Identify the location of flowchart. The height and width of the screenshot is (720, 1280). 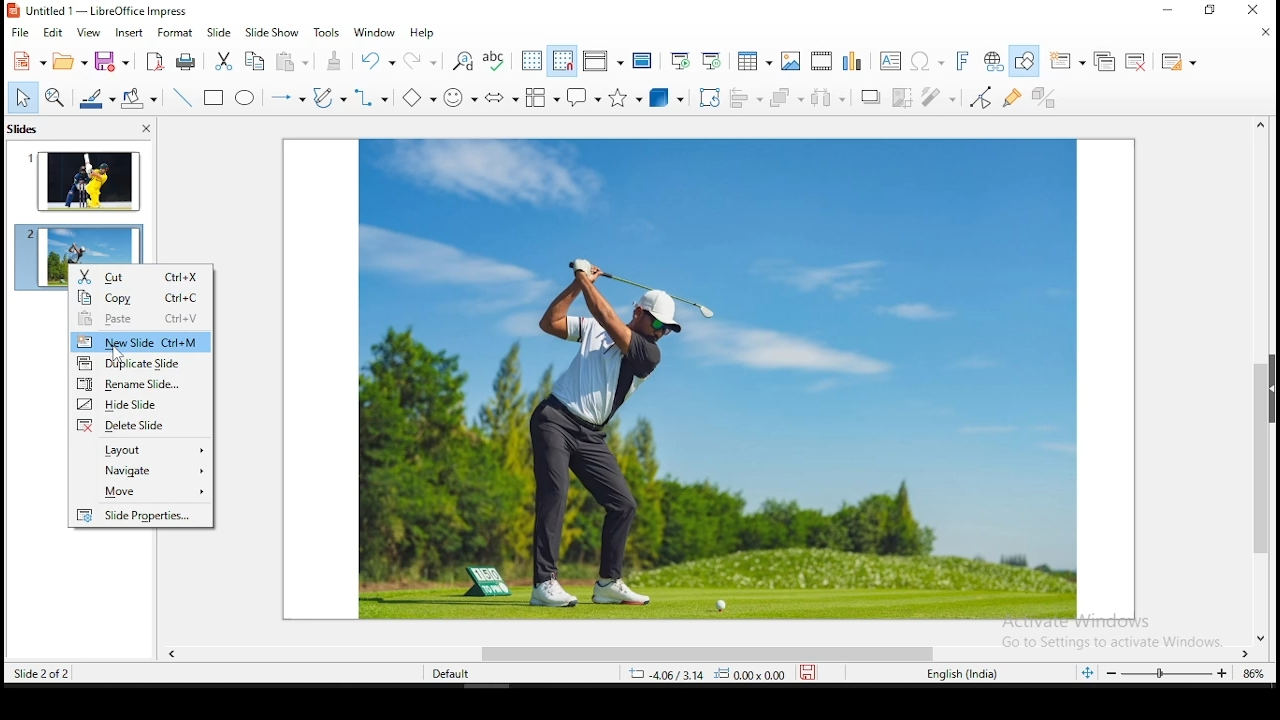
(541, 97).